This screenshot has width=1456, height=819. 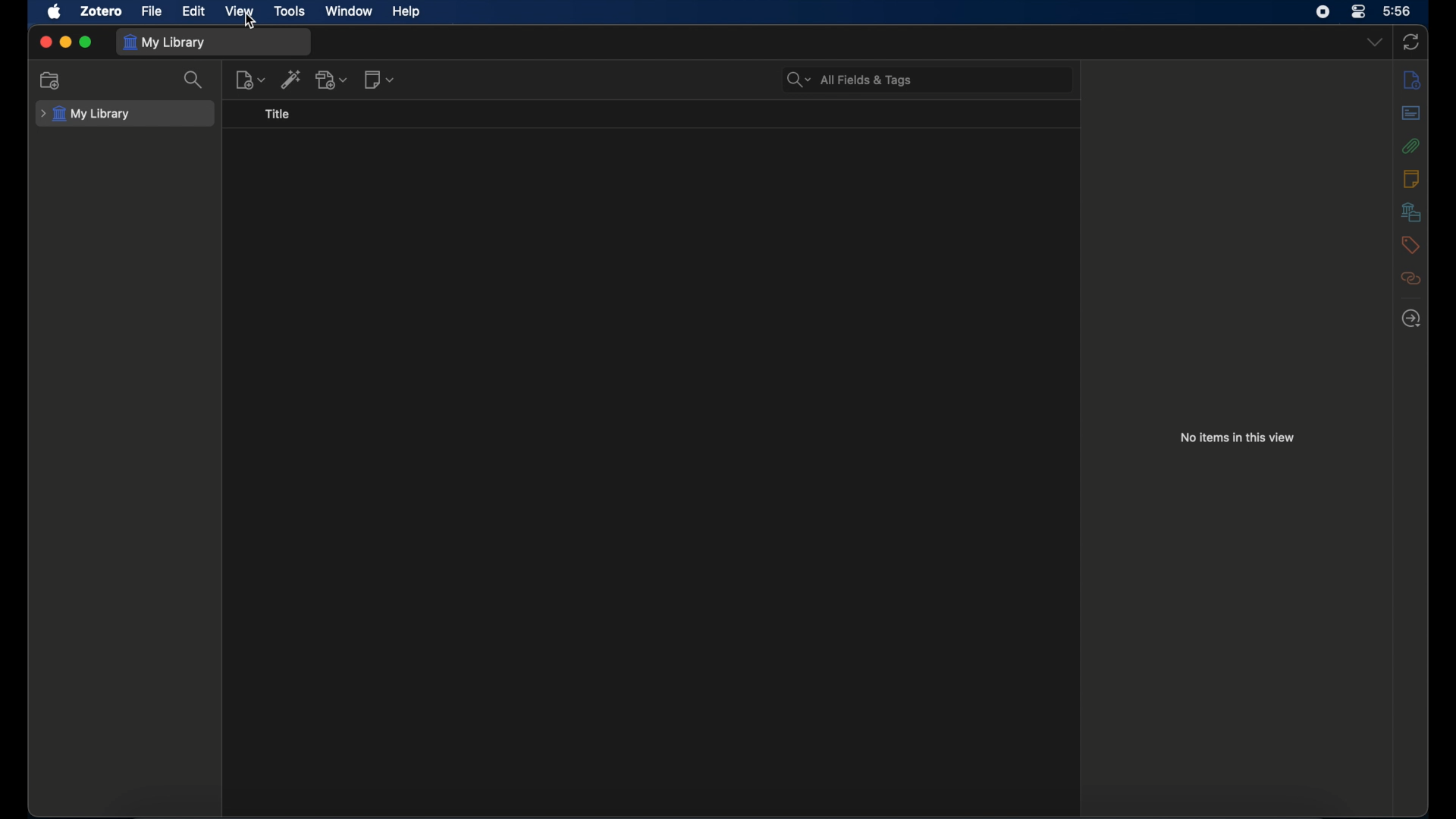 I want to click on control center, so click(x=1357, y=11).